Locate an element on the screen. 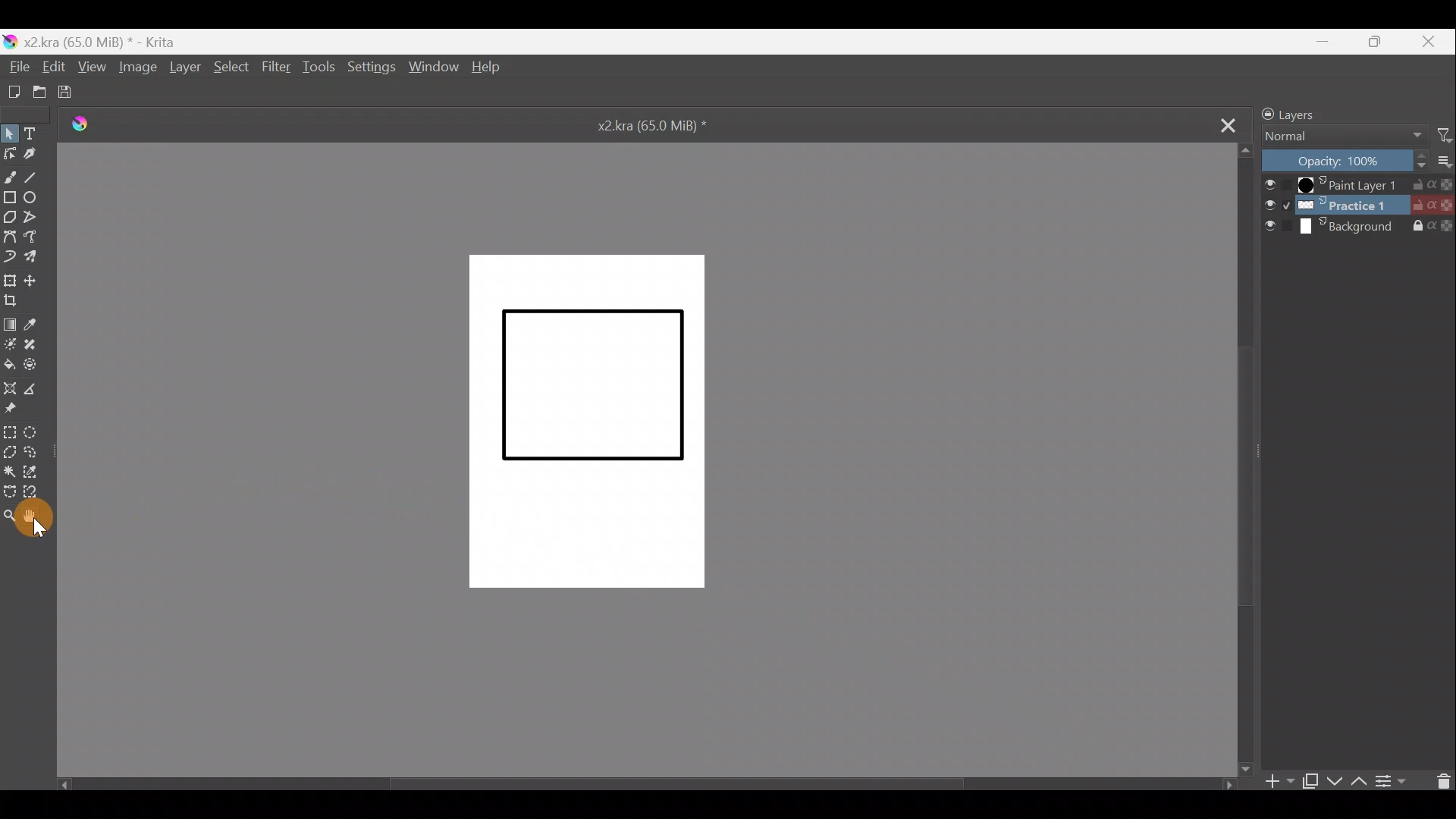  Zoom tool is located at coordinates (11, 516).